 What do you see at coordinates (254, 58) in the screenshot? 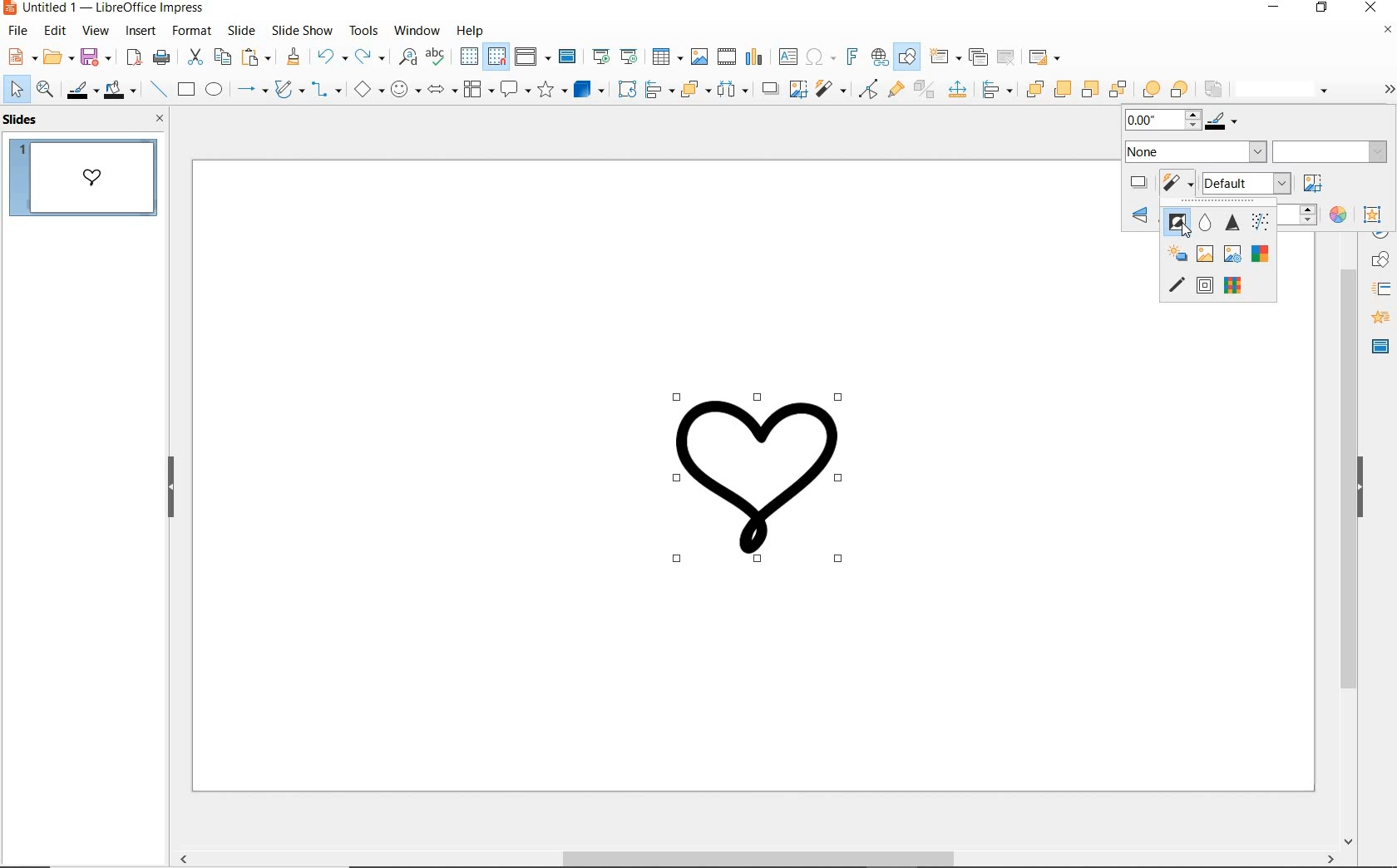
I see `paste` at bounding box center [254, 58].